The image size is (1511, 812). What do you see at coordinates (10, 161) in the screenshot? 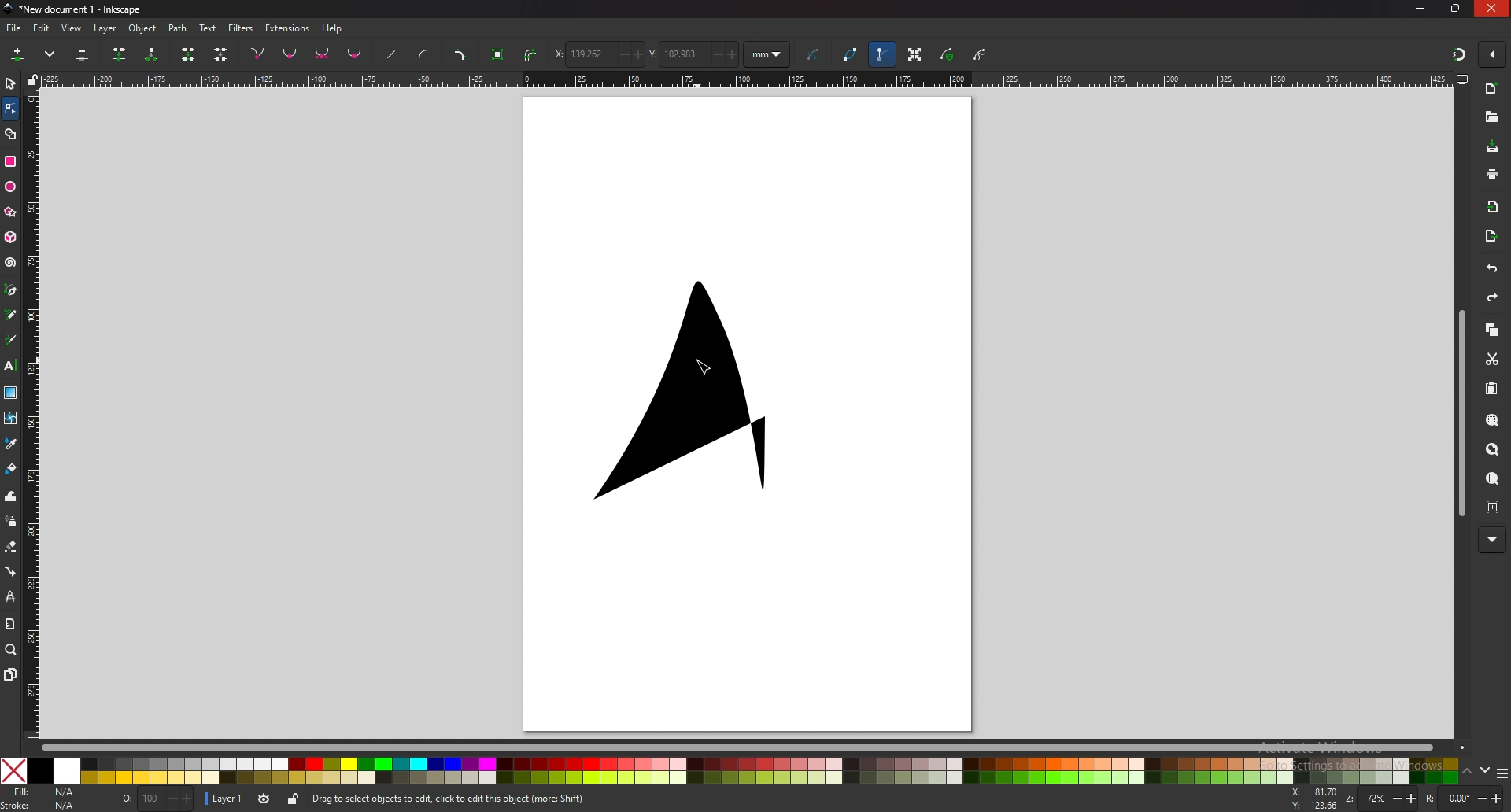
I see `rectangle` at bounding box center [10, 161].